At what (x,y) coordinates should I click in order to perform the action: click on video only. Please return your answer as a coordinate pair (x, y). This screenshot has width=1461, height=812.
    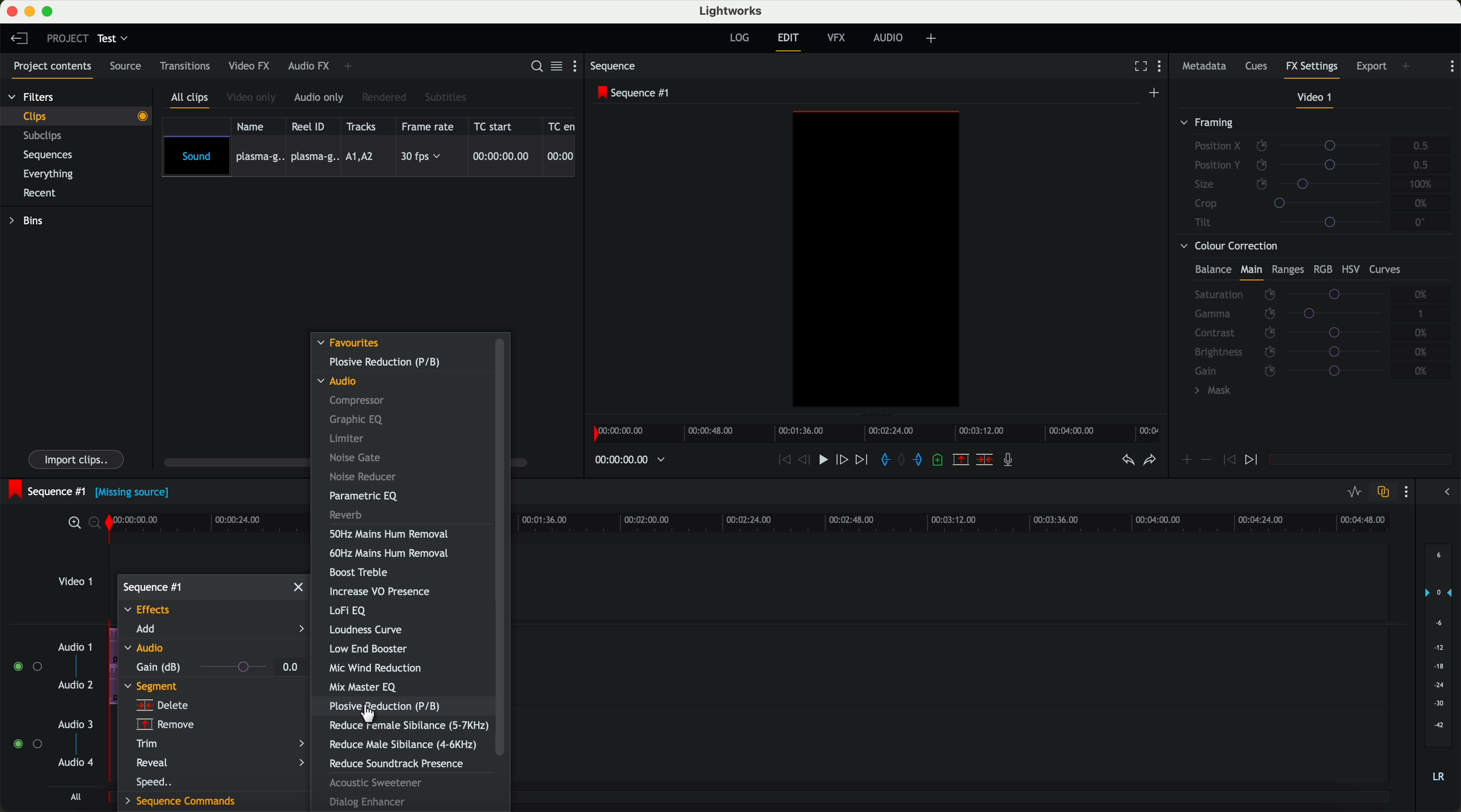
    Looking at the image, I should click on (254, 98).